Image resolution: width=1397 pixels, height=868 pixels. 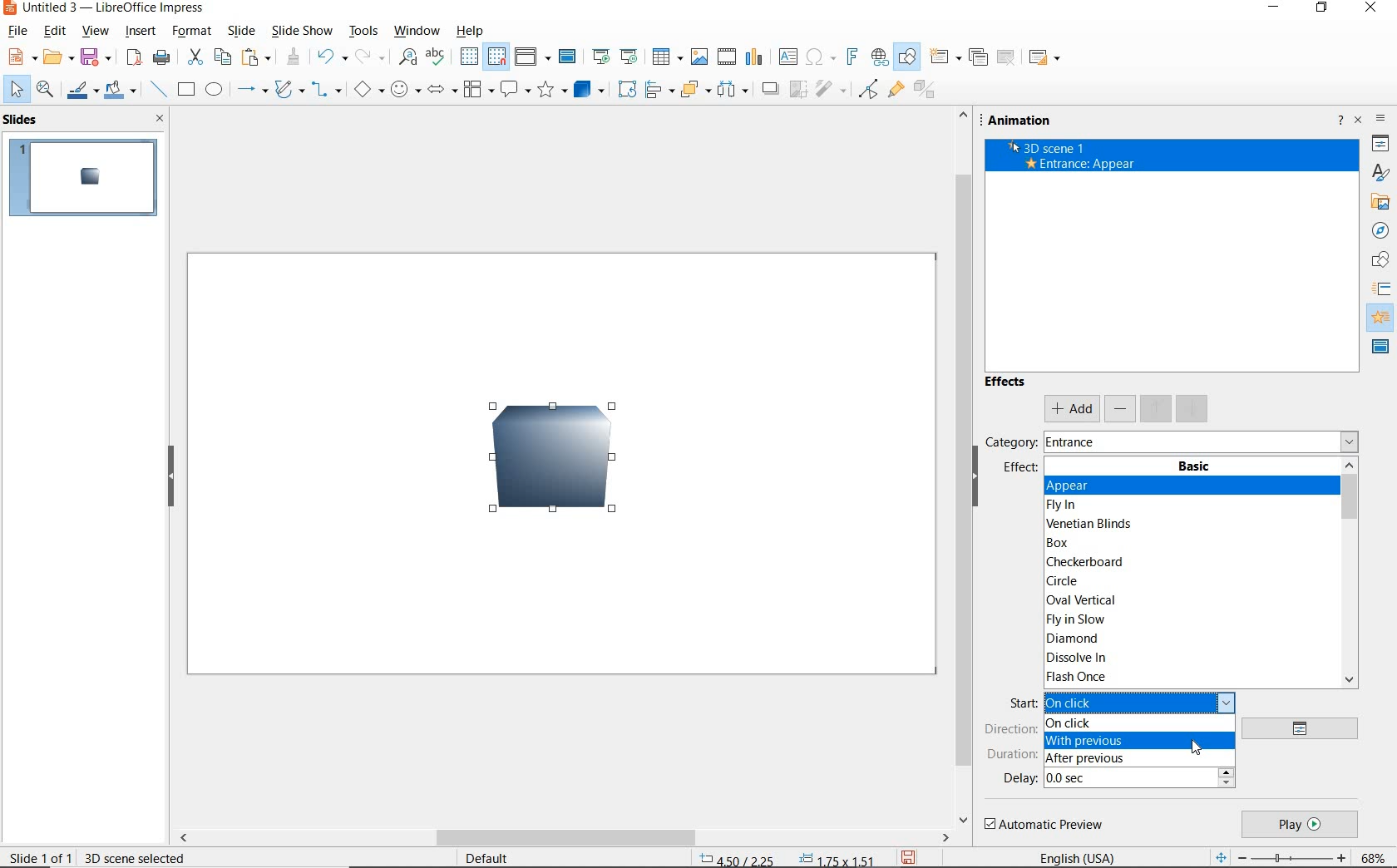 I want to click on insert, so click(x=141, y=32).